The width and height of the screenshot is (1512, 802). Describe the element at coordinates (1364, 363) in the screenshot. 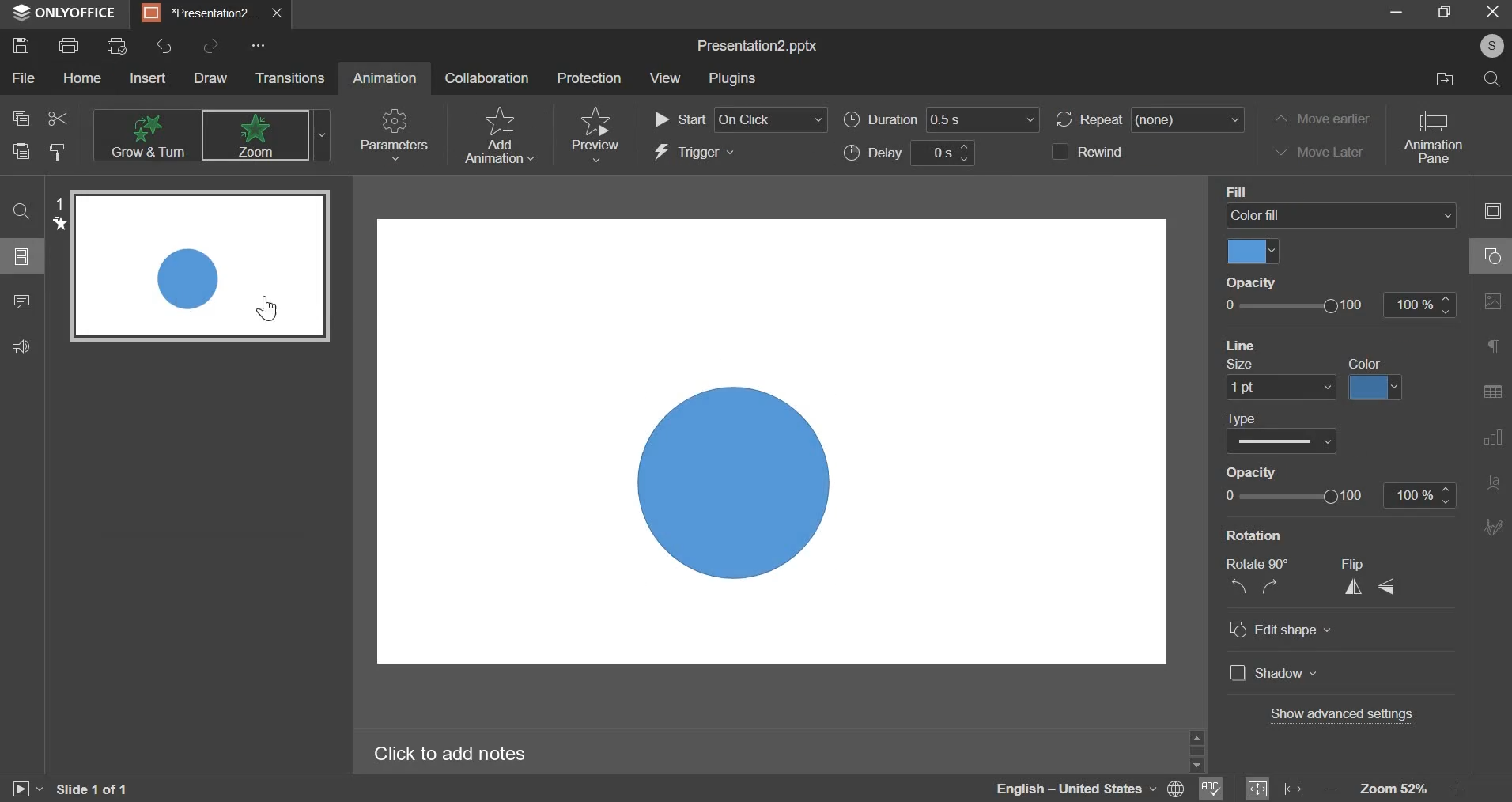

I see `color fill` at that location.